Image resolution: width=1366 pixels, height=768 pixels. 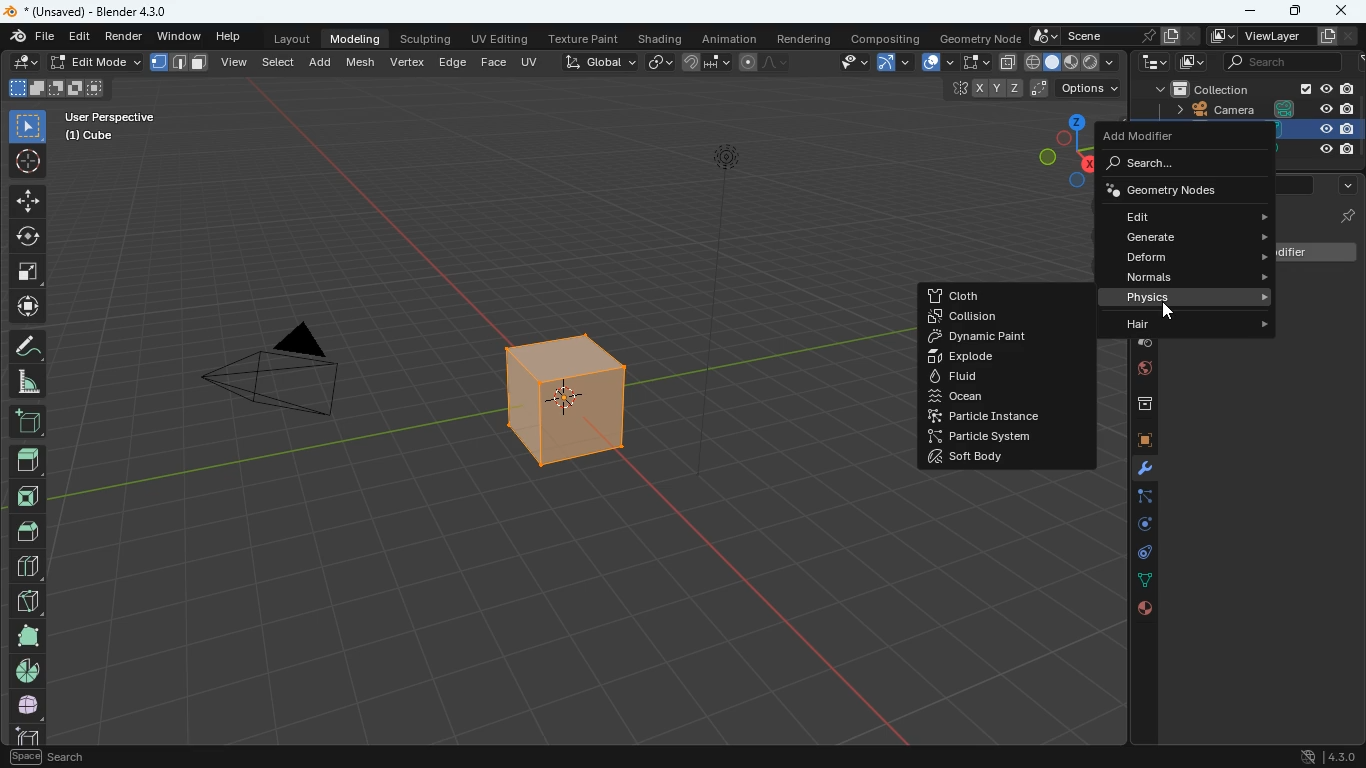 What do you see at coordinates (966, 460) in the screenshot?
I see `soft bofy` at bounding box center [966, 460].